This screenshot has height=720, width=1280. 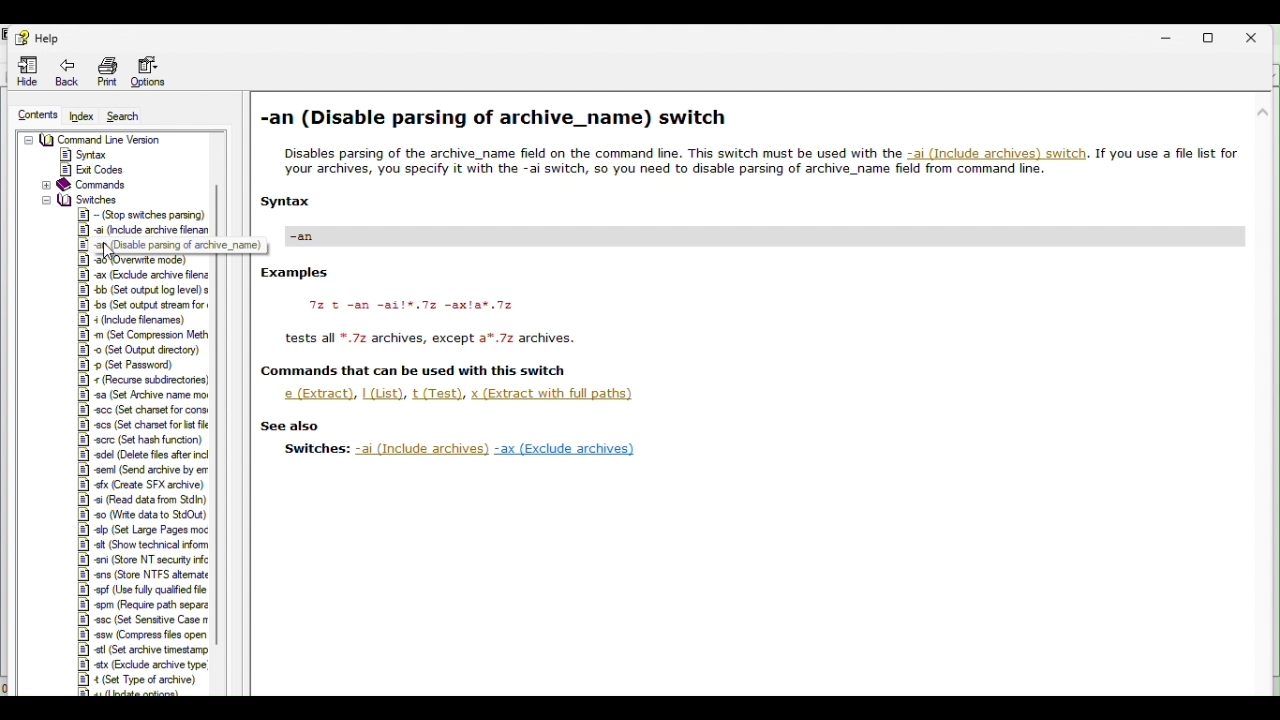 I want to click on Back, so click(x=66, y=73).